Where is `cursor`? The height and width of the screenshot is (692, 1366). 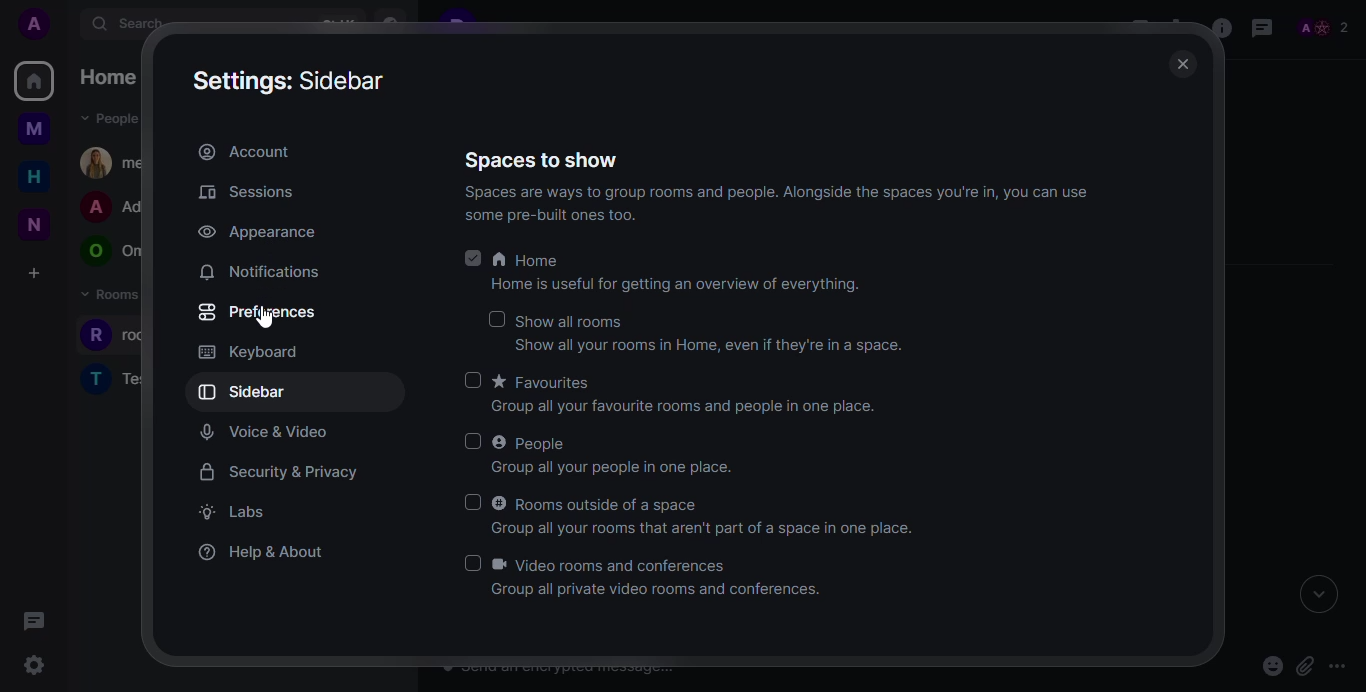
cursor is located at coordinates (264, 325).